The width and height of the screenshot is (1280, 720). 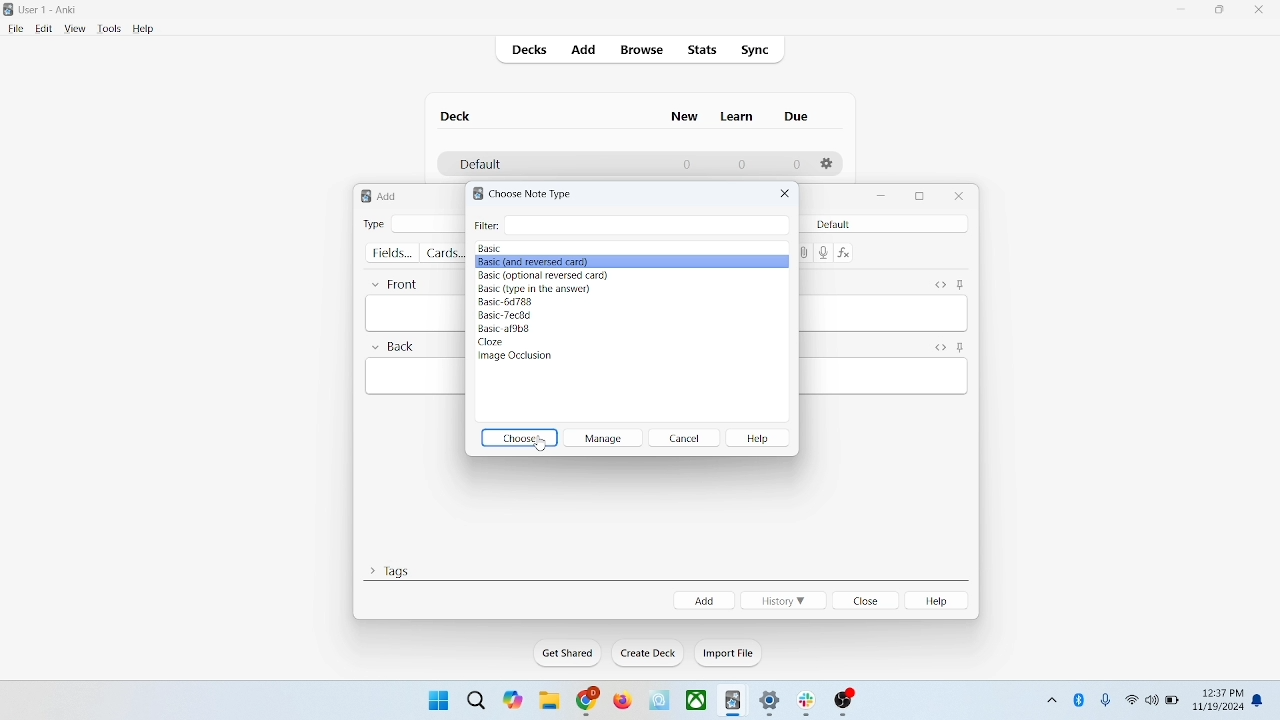 What do you see at coordinates (1131, 699) in the screenshot?
I see `wifi` at bounding box center [1131, 699].